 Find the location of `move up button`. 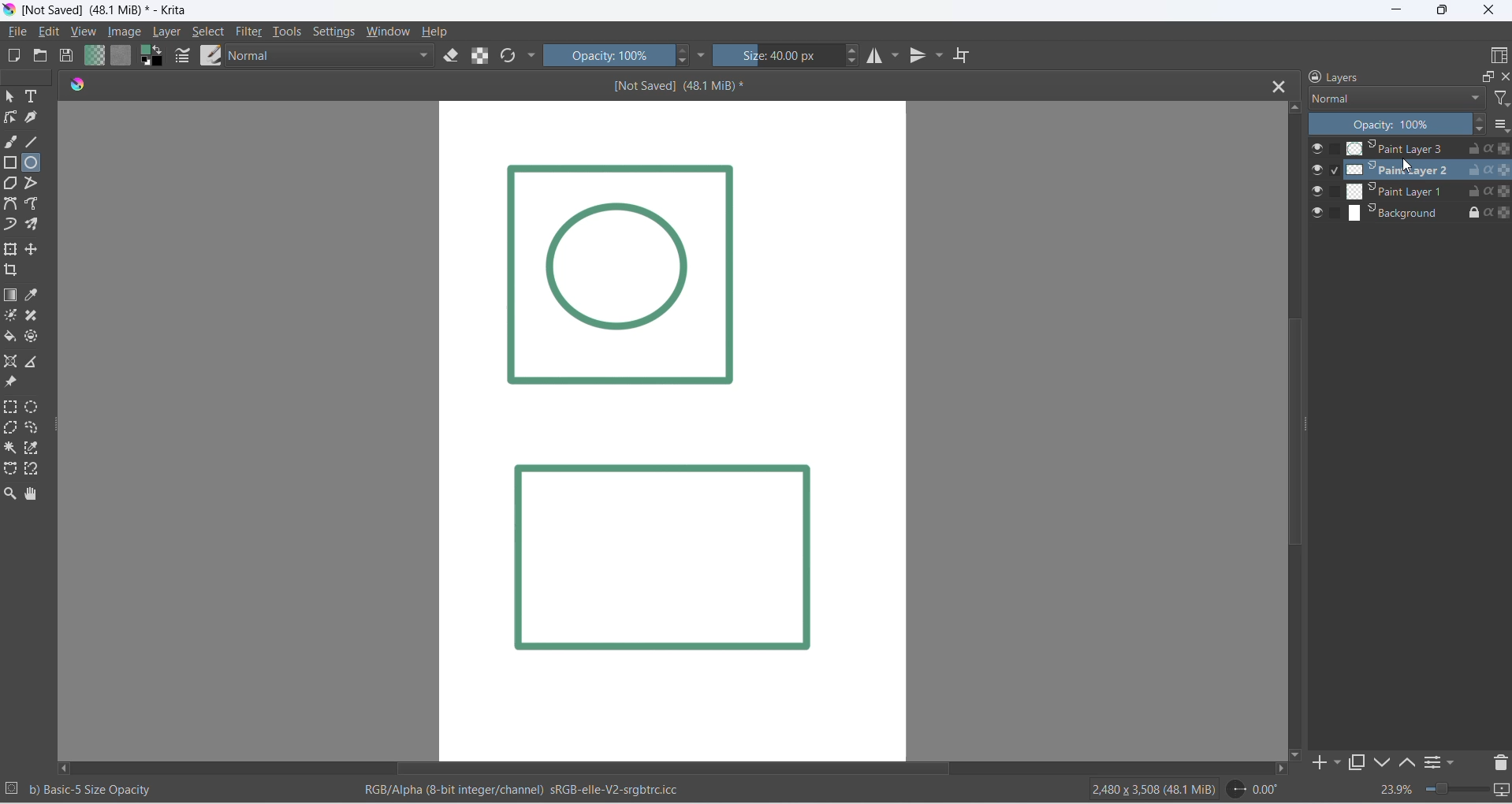

move up button is located at coordinates (1294, 108).